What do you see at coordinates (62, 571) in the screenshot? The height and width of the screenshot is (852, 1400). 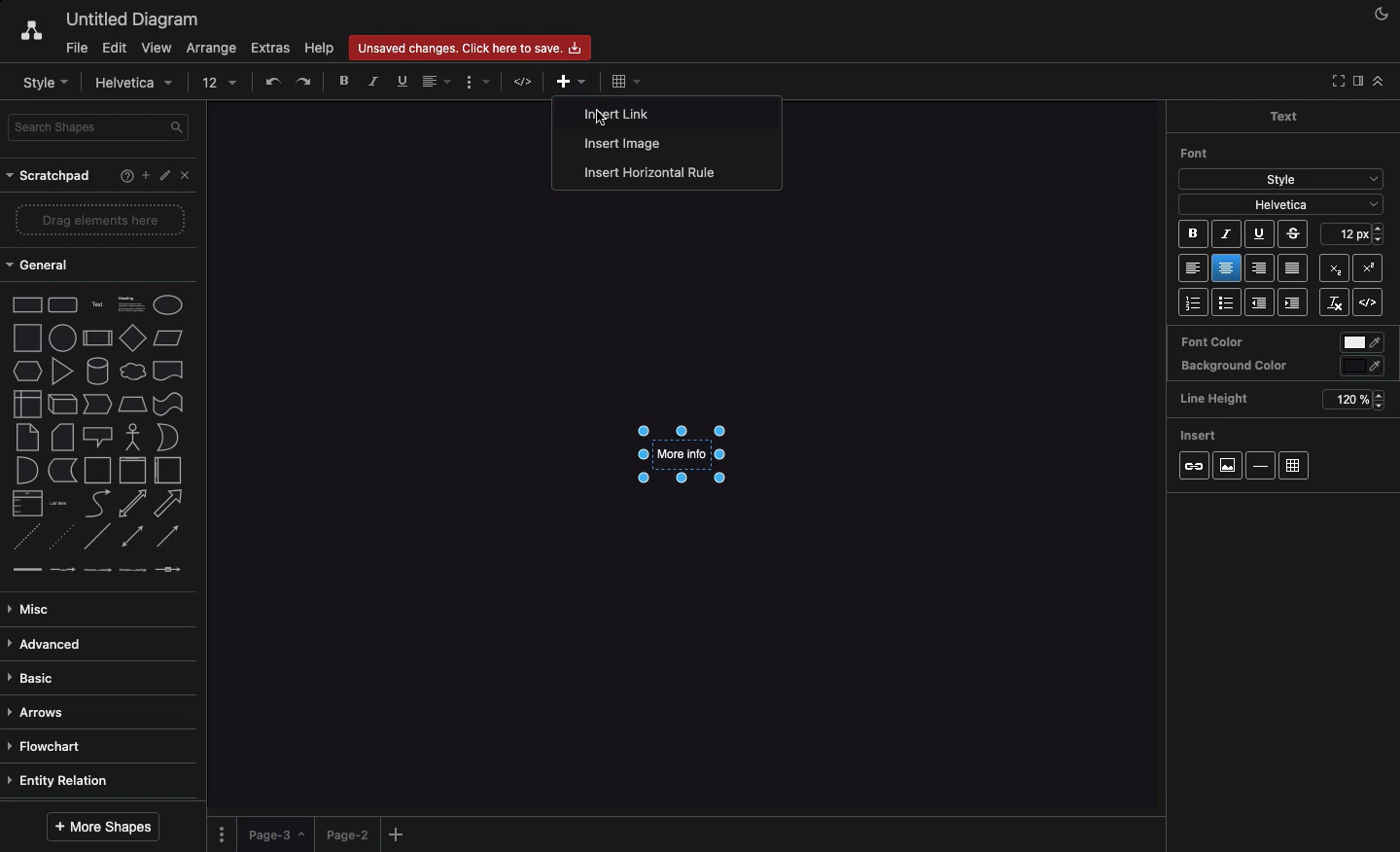 I see `connector with label` at bounding box center [62, 571].